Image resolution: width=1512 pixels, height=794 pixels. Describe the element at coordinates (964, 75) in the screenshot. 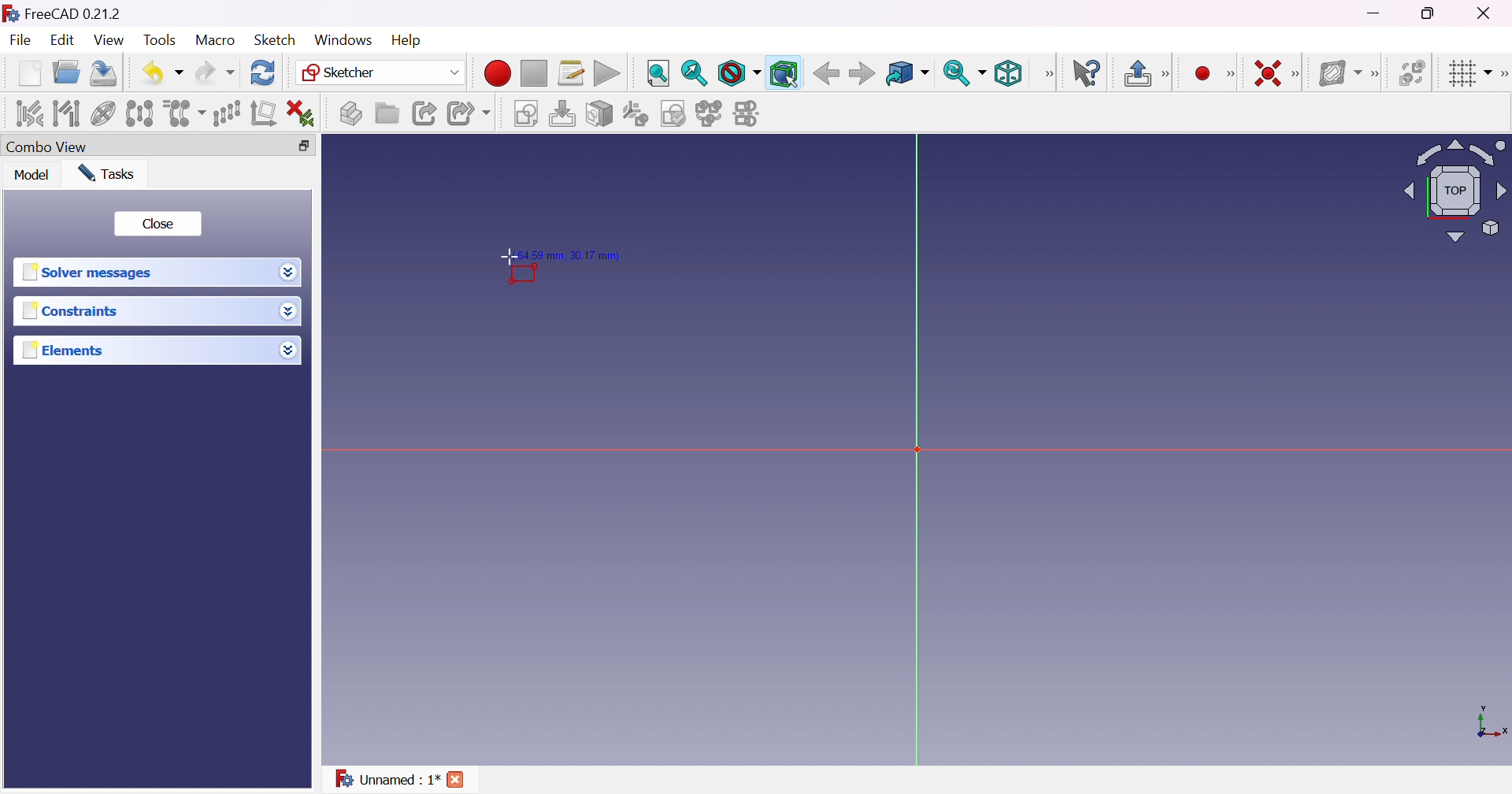

I see `Sync view` at that location.